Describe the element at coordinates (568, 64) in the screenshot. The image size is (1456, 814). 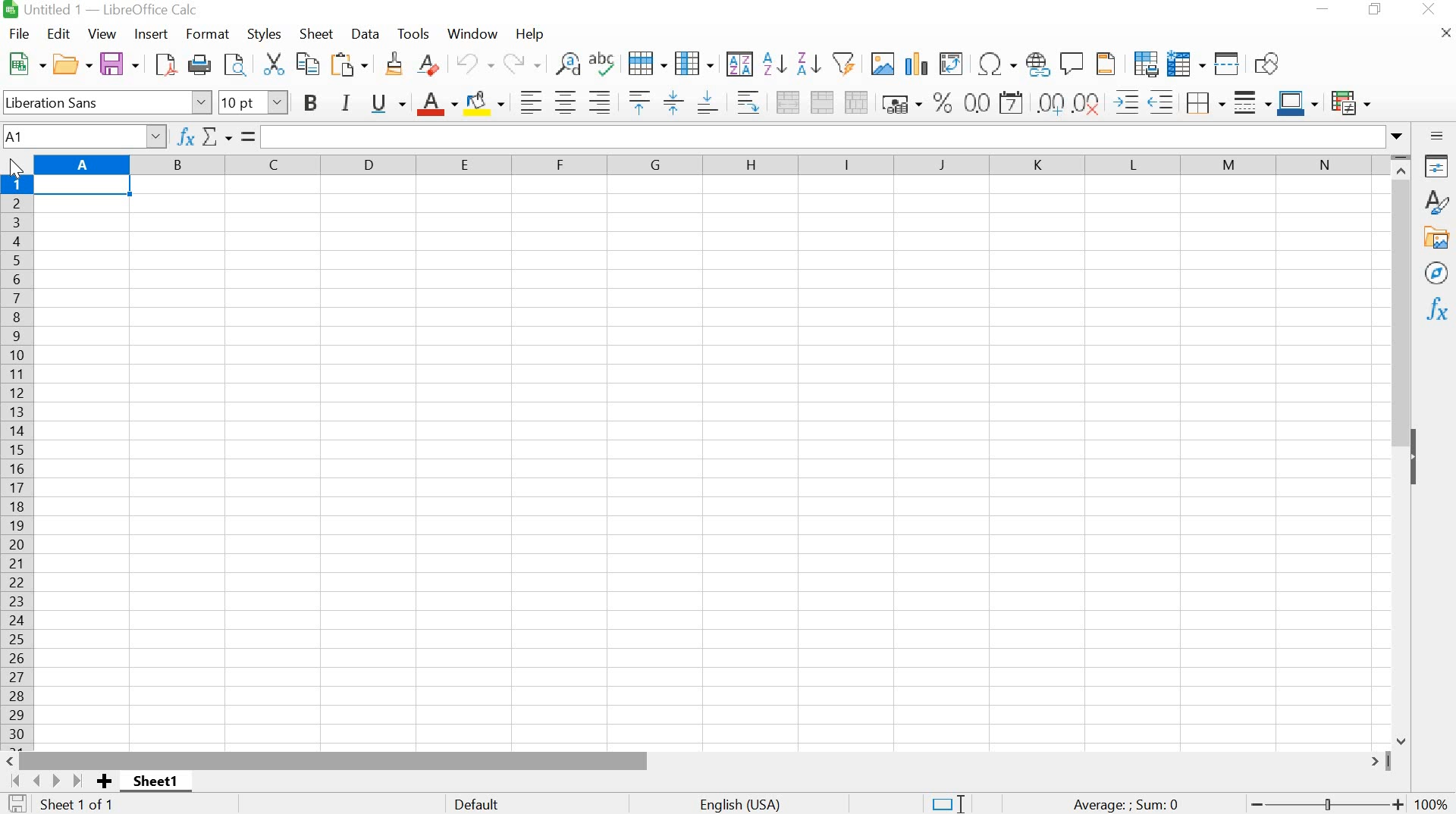
I see `Find and Replace` at that location.